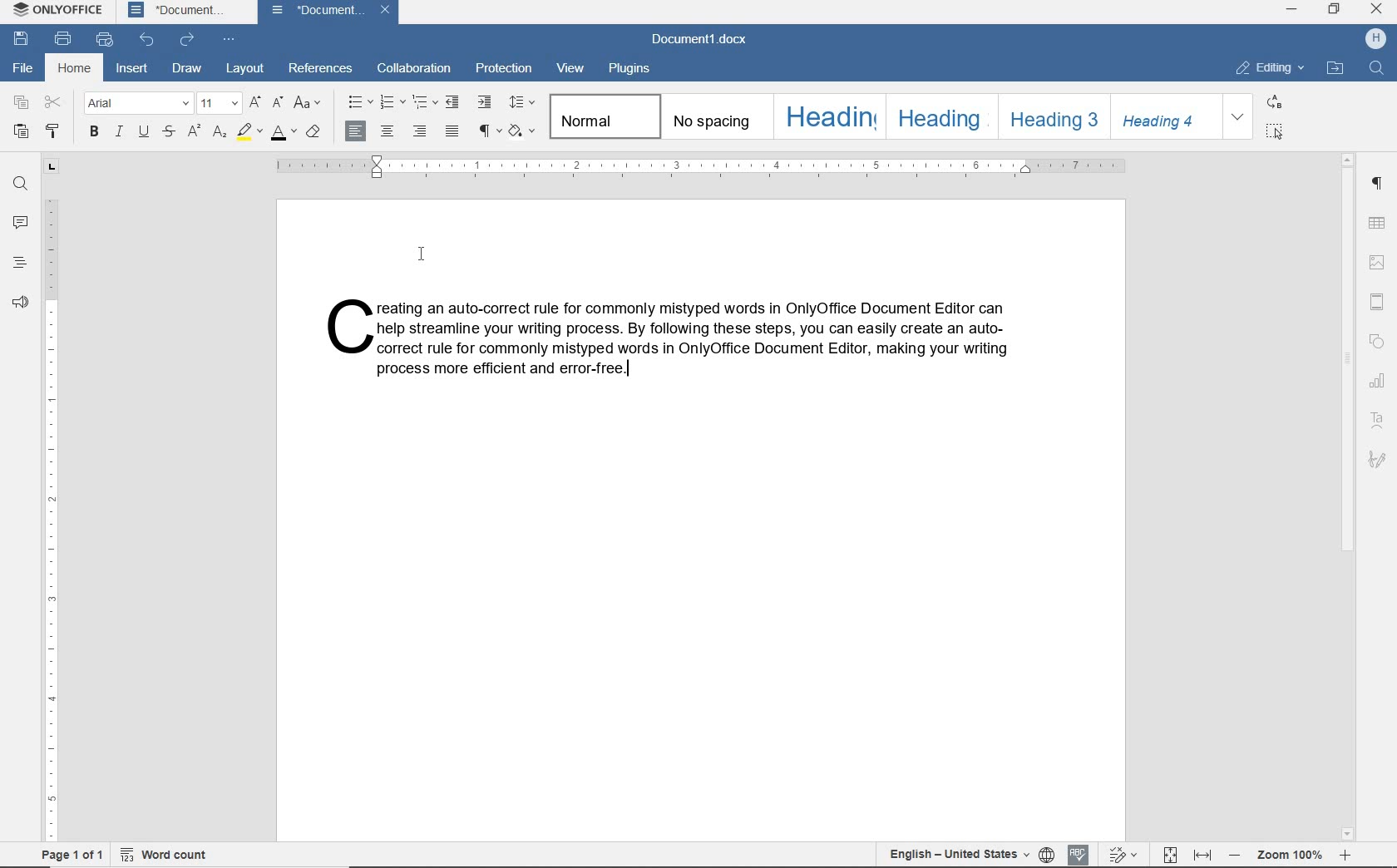 This screenshot has height=868, width=1397. I want to click on SIGNATURE, so click(1379, 462).